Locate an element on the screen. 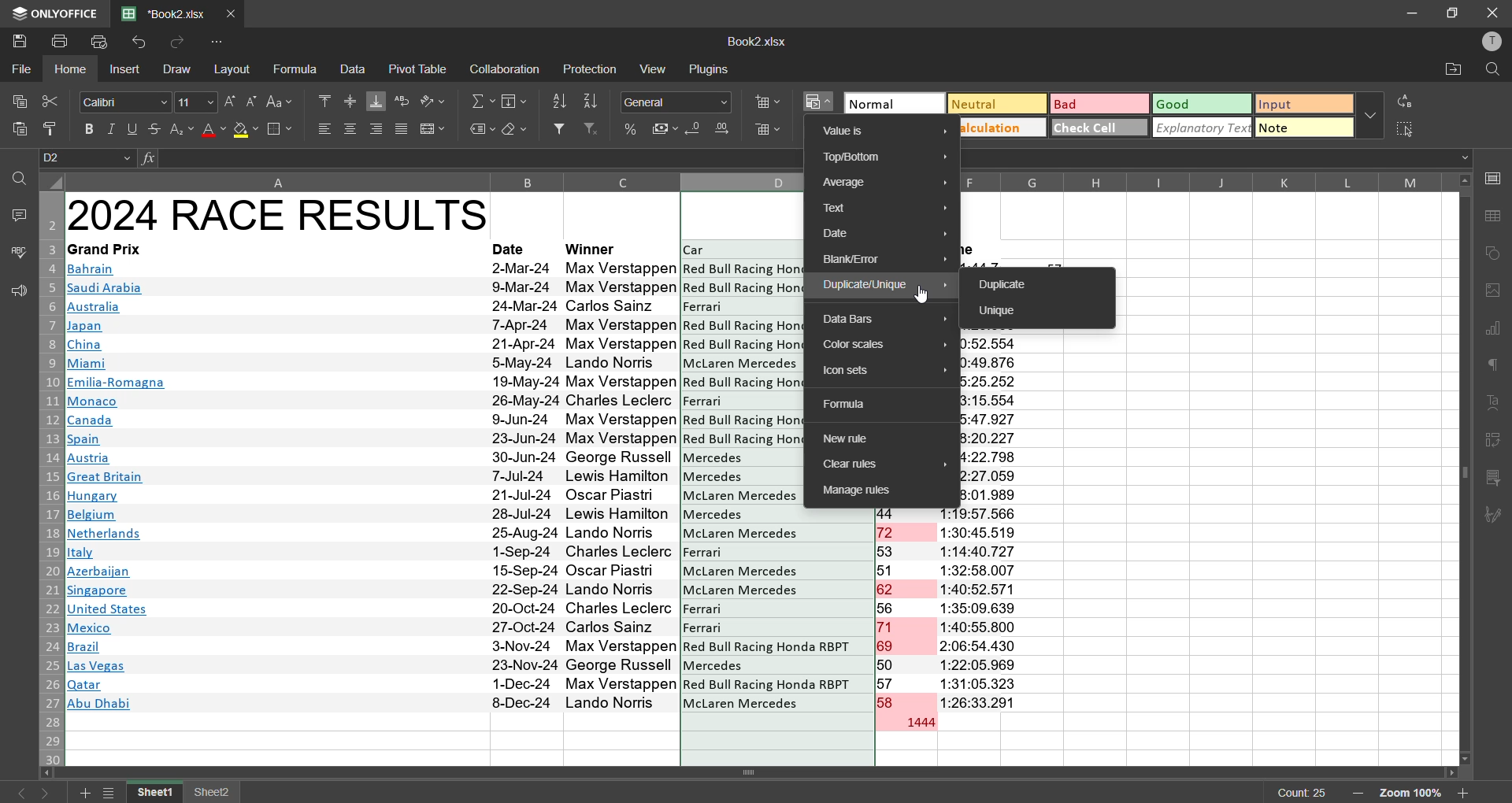  value is is located at coordinates (884, 132).